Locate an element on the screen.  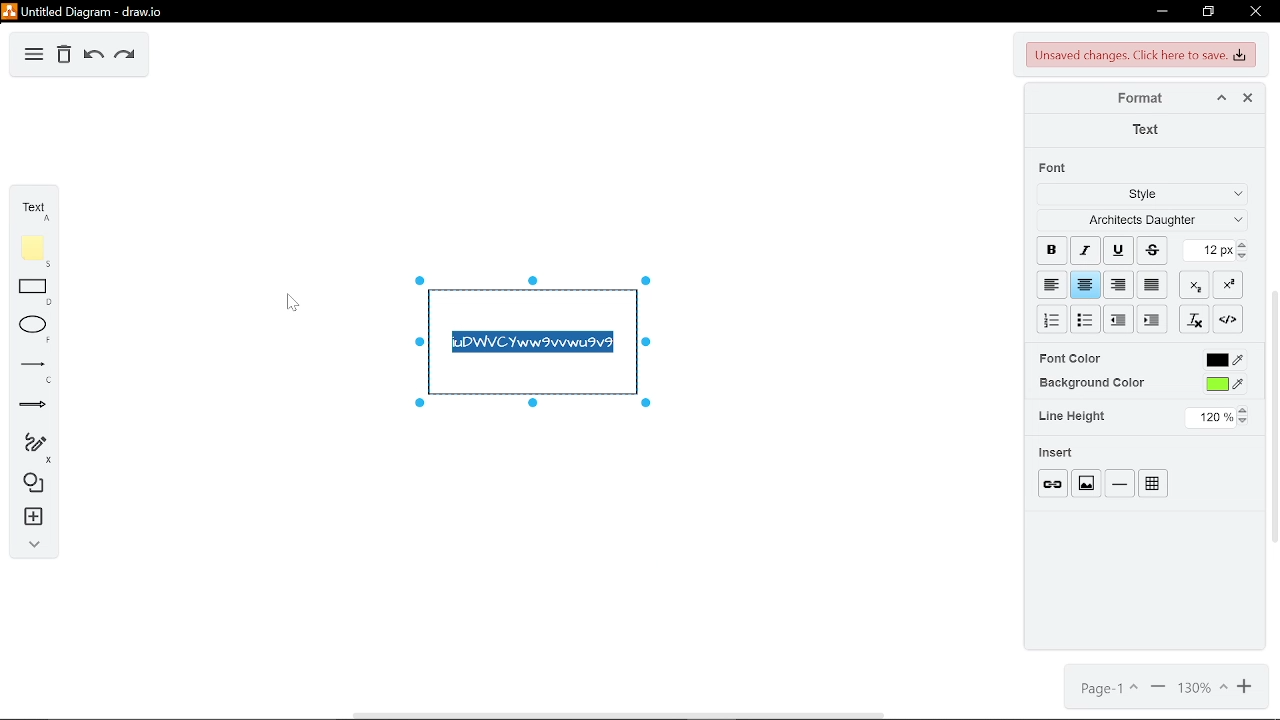
background color is located at coordinates (1091, 382).